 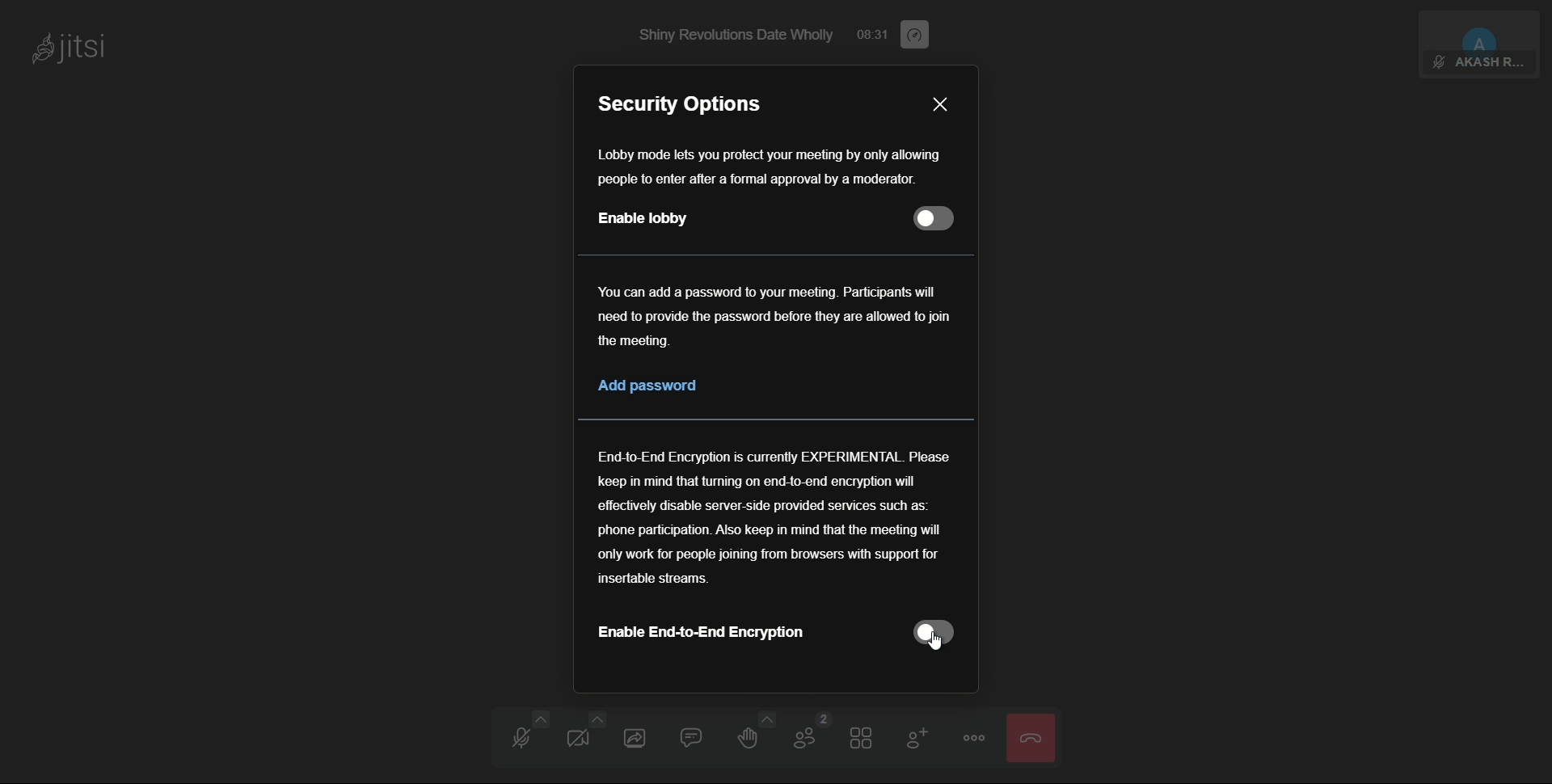 I want to click on mute, so click(x=523, y=735).